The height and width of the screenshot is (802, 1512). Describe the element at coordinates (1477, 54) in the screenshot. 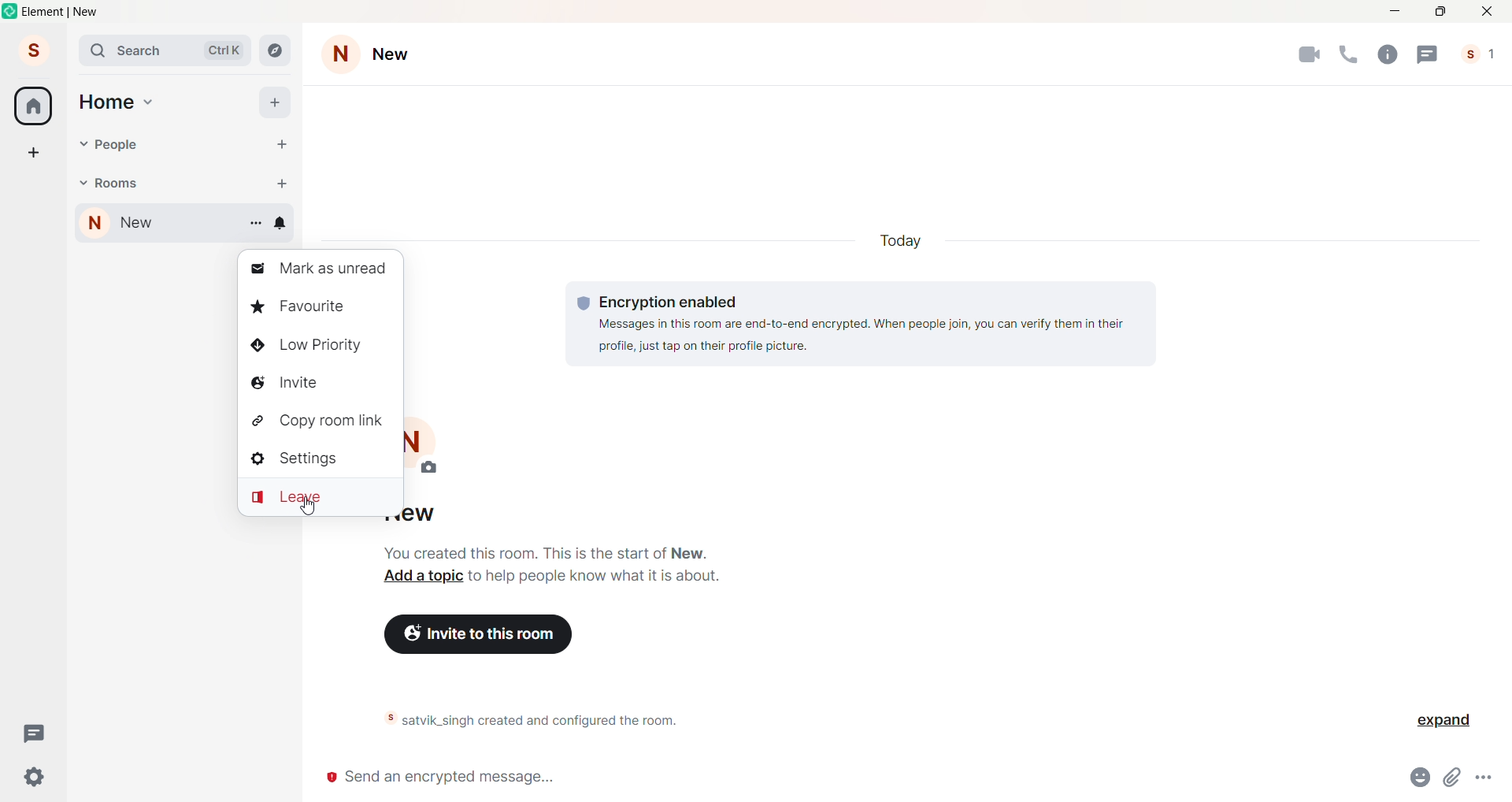

I see `people` at that location.